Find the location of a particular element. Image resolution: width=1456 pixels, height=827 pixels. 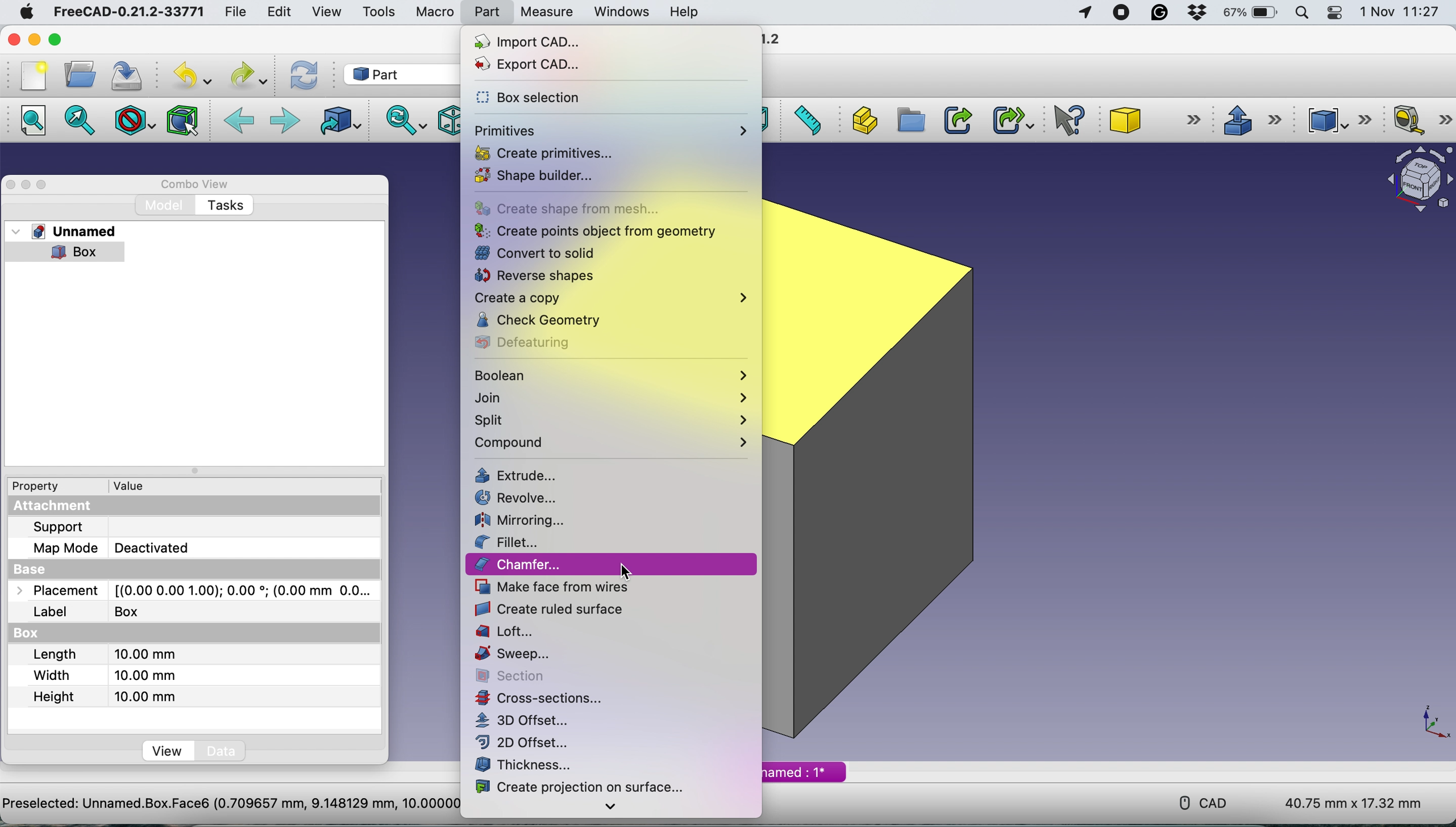

length is located at coordinates (101, 654).